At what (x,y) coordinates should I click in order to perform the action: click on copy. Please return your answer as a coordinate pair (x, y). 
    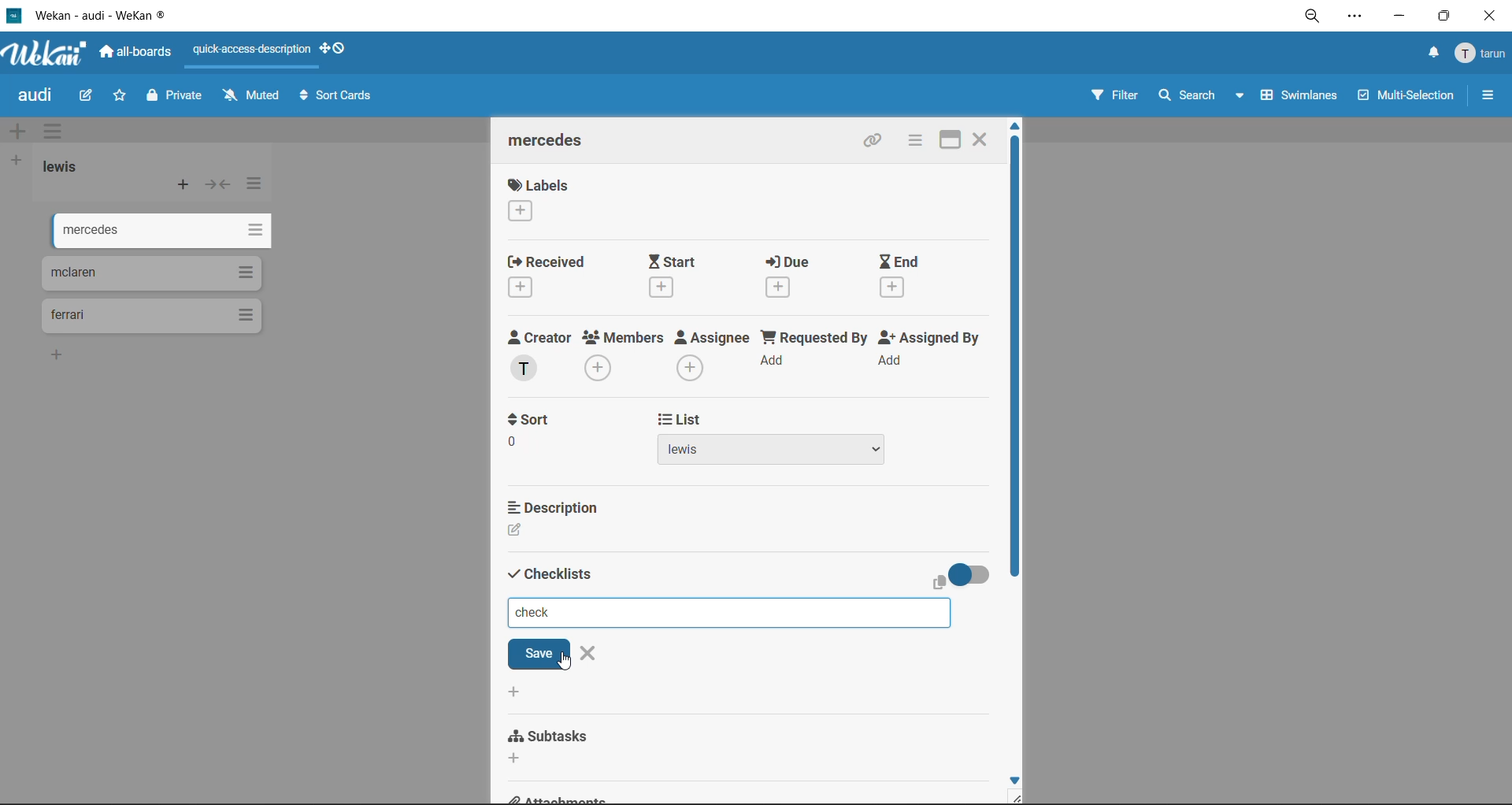
    Looking at the image, I should click on (939, 584).